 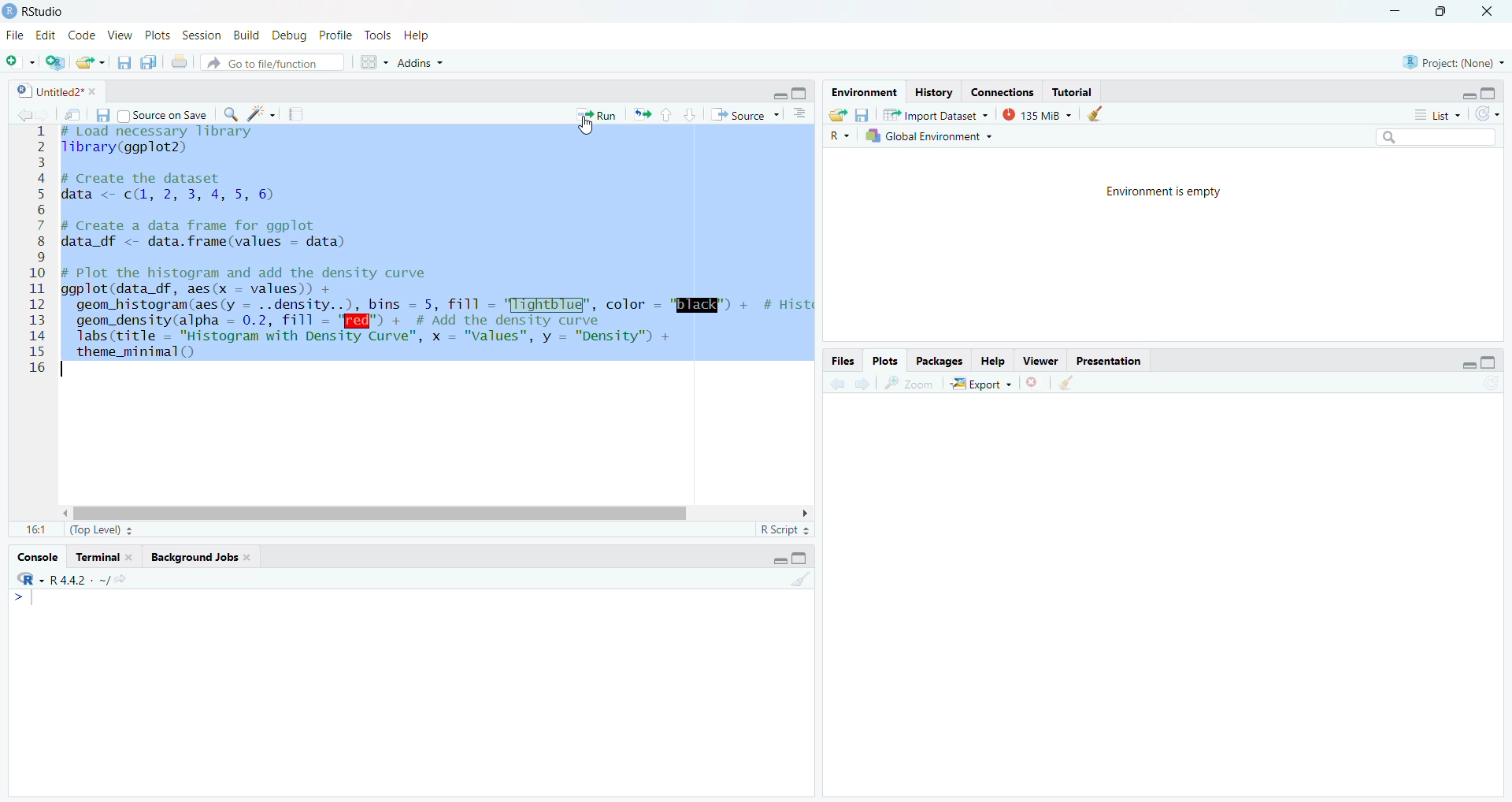 What do you see at coordinates (800, 114) in the screenshot?
I see `show document outline` at bounding box center [800, 114].